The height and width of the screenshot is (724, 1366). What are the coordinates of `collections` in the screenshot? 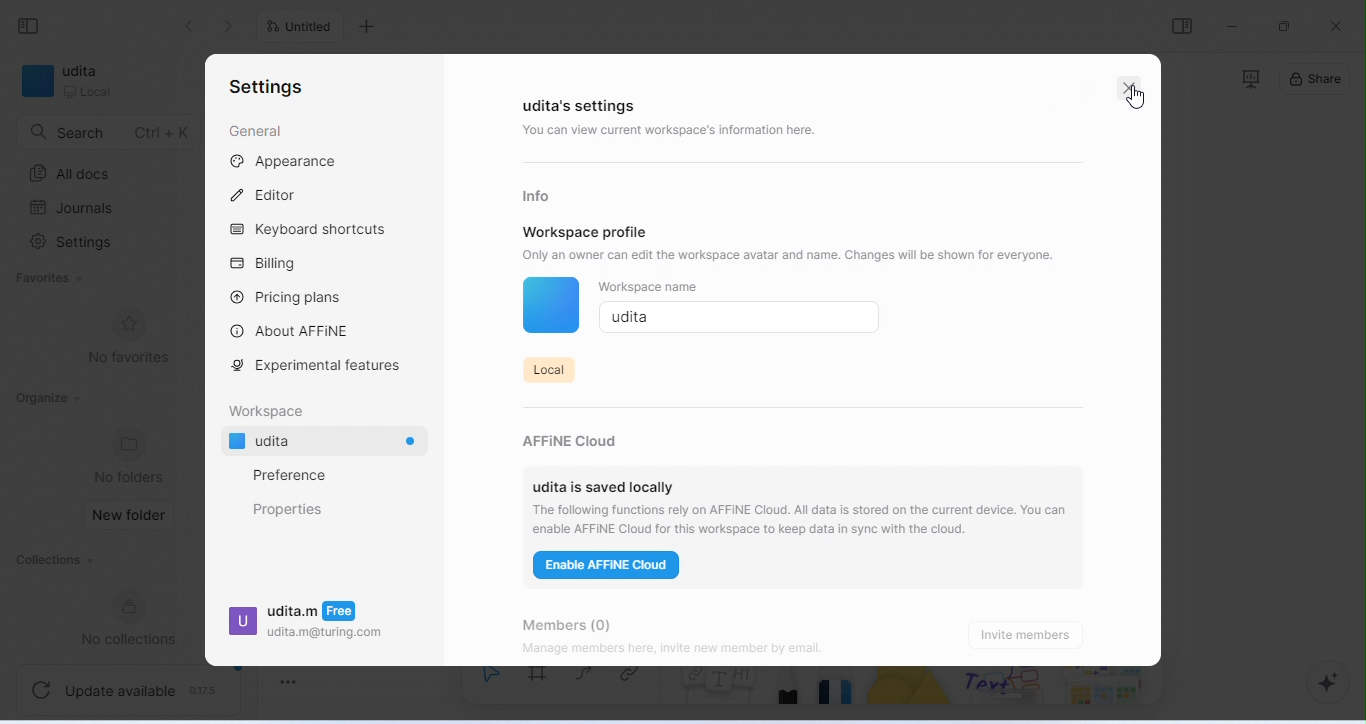 It's located at (53, 562).